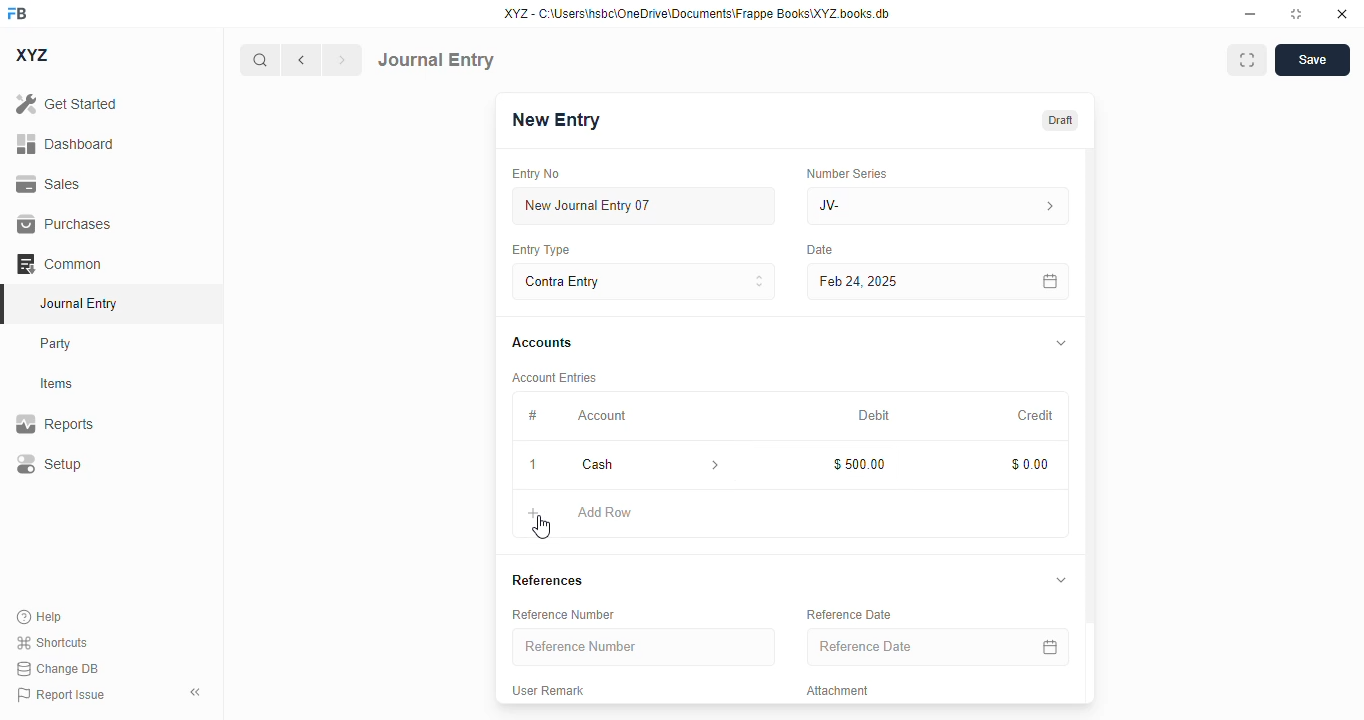 This screenshot has width=1364, height=720. What do you see at coordinates (1051, 281) in the screenshot?
I see `calendar icon` at bounding box center [1051, 281].